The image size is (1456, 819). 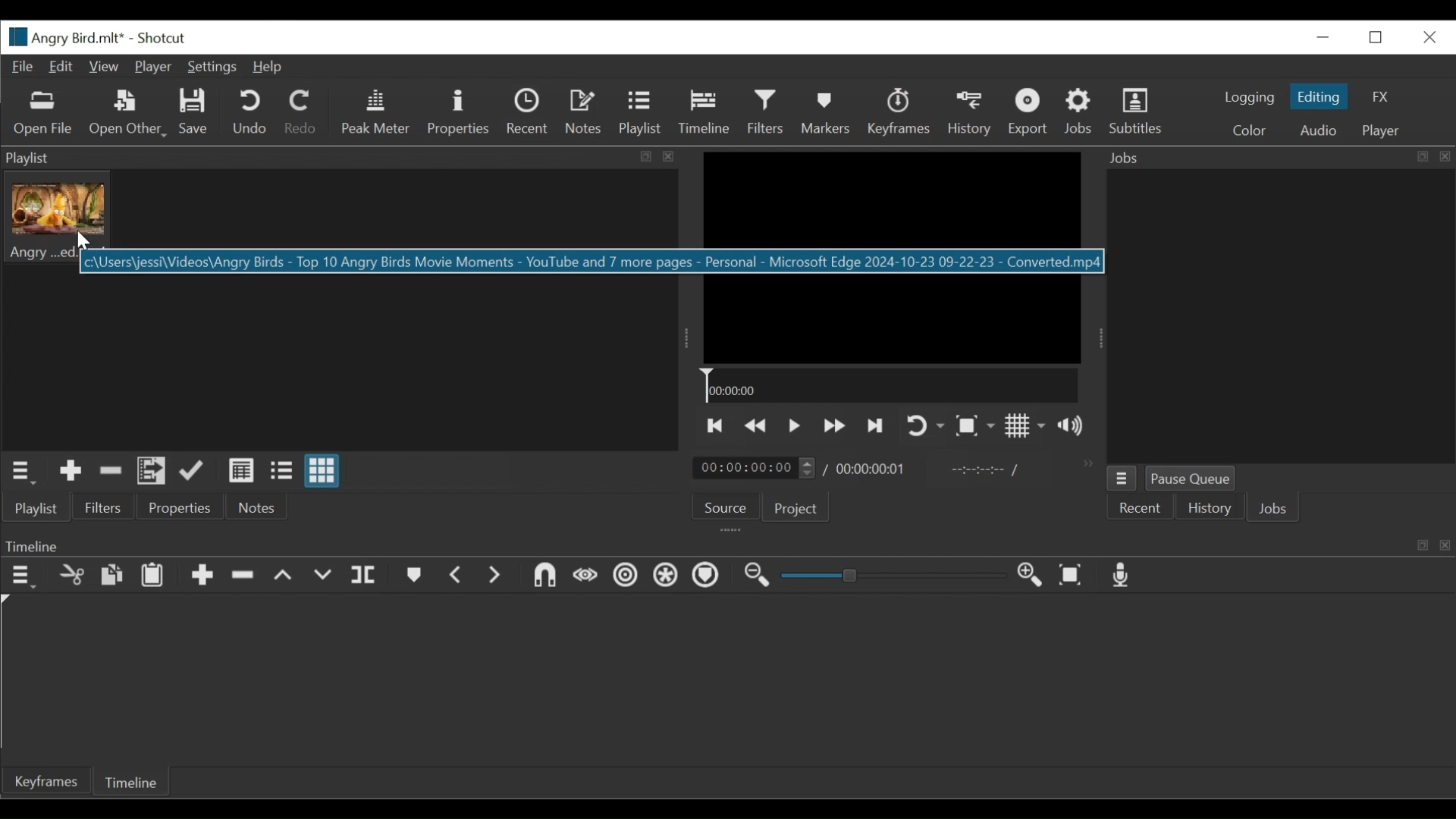 I want to click on Filter, so click(x=765, y=111).